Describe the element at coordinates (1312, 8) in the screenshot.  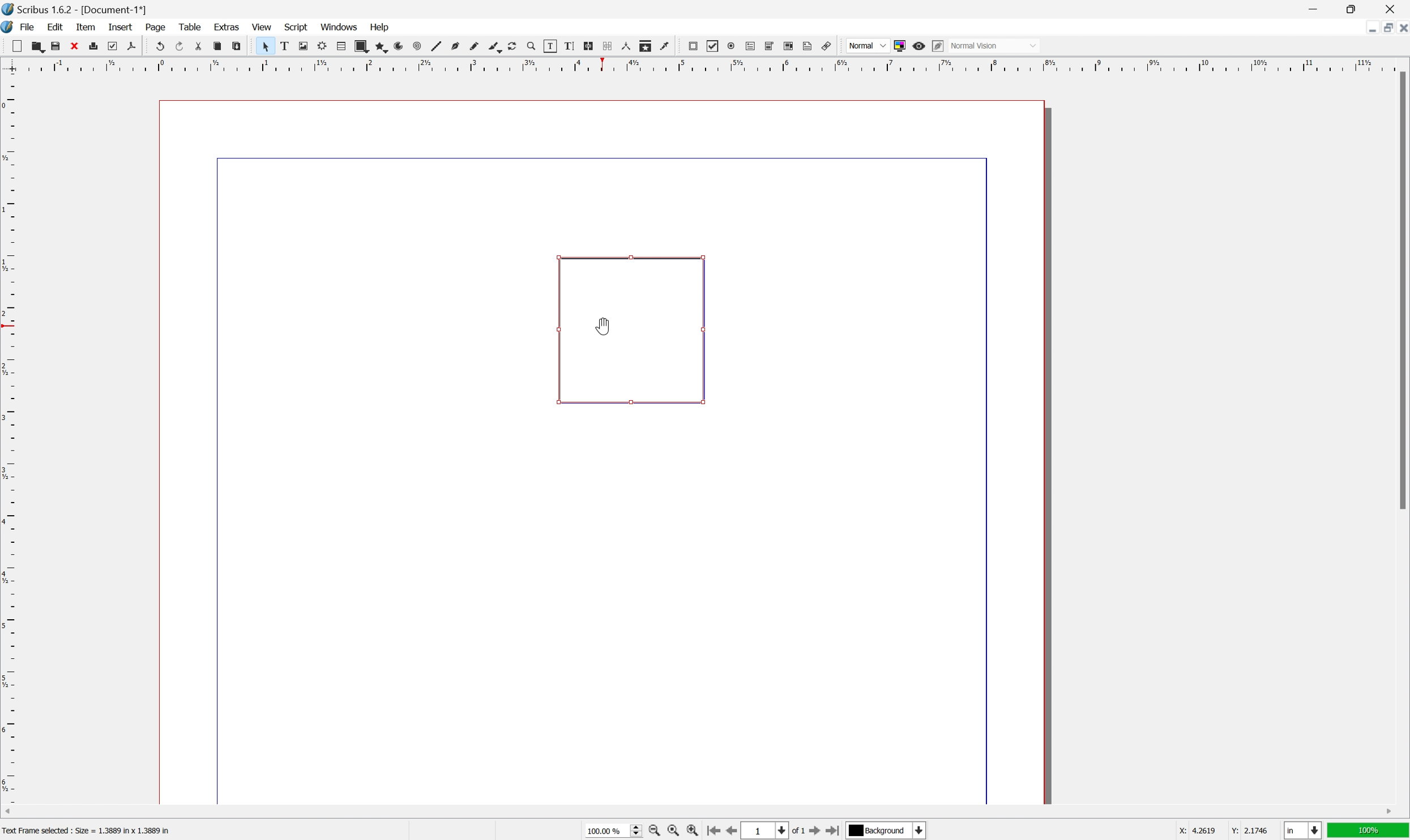
I see `minimize` at that location.